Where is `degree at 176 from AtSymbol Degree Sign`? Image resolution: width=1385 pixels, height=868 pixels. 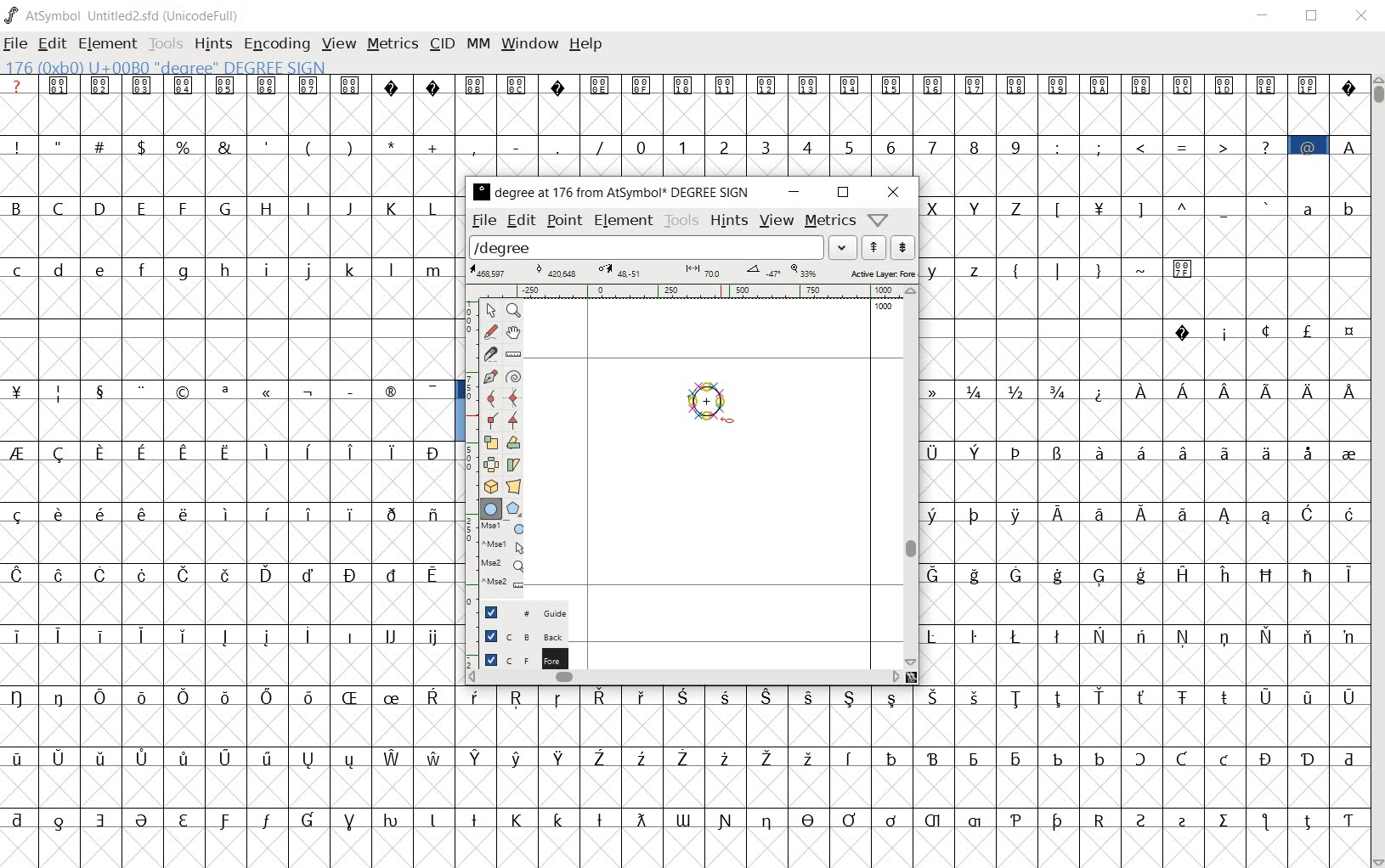 degree at 176 from AtSymbol Degree Sign is located at coordinates (610, 194).